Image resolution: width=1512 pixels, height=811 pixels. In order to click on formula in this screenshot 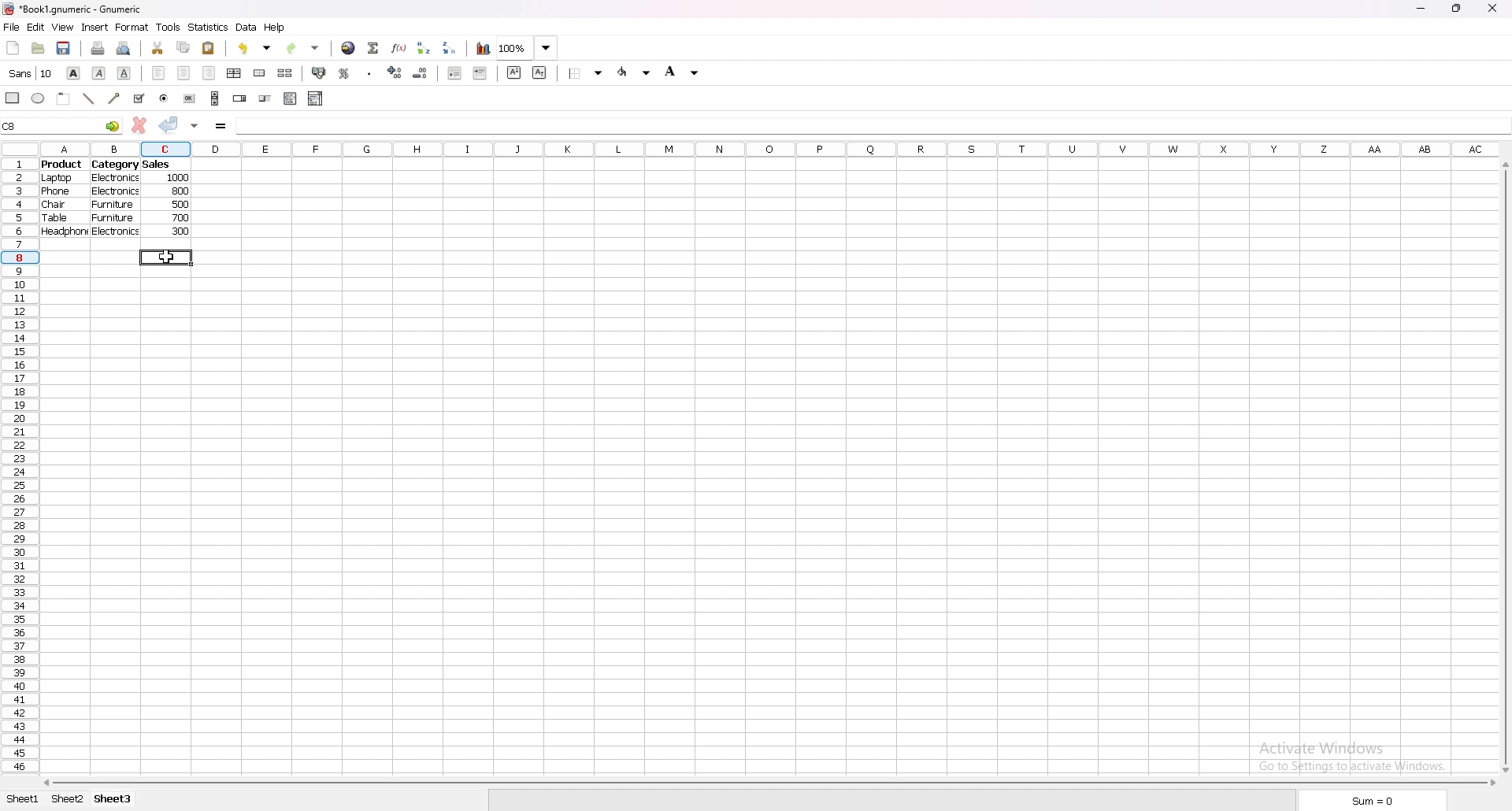, I will do `click(221, 125)`.